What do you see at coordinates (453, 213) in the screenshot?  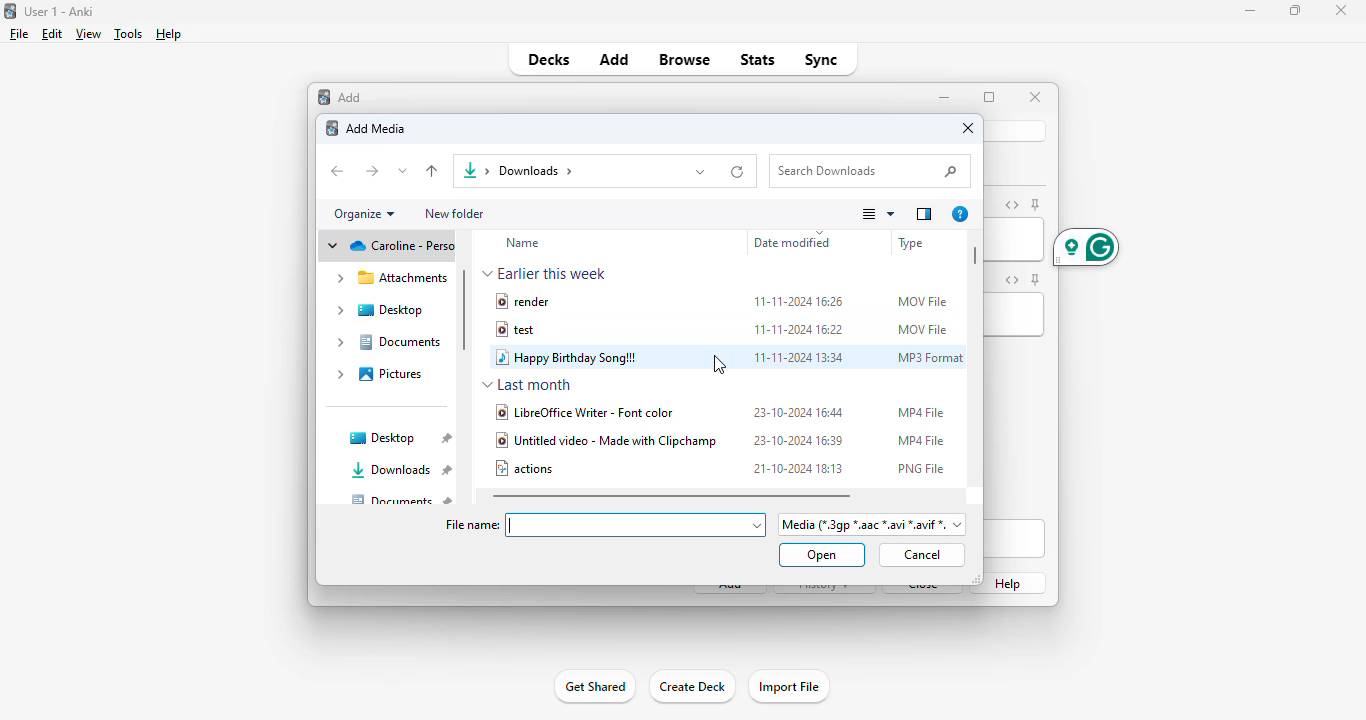 I see `new folder` at bounding box center [453, 213].